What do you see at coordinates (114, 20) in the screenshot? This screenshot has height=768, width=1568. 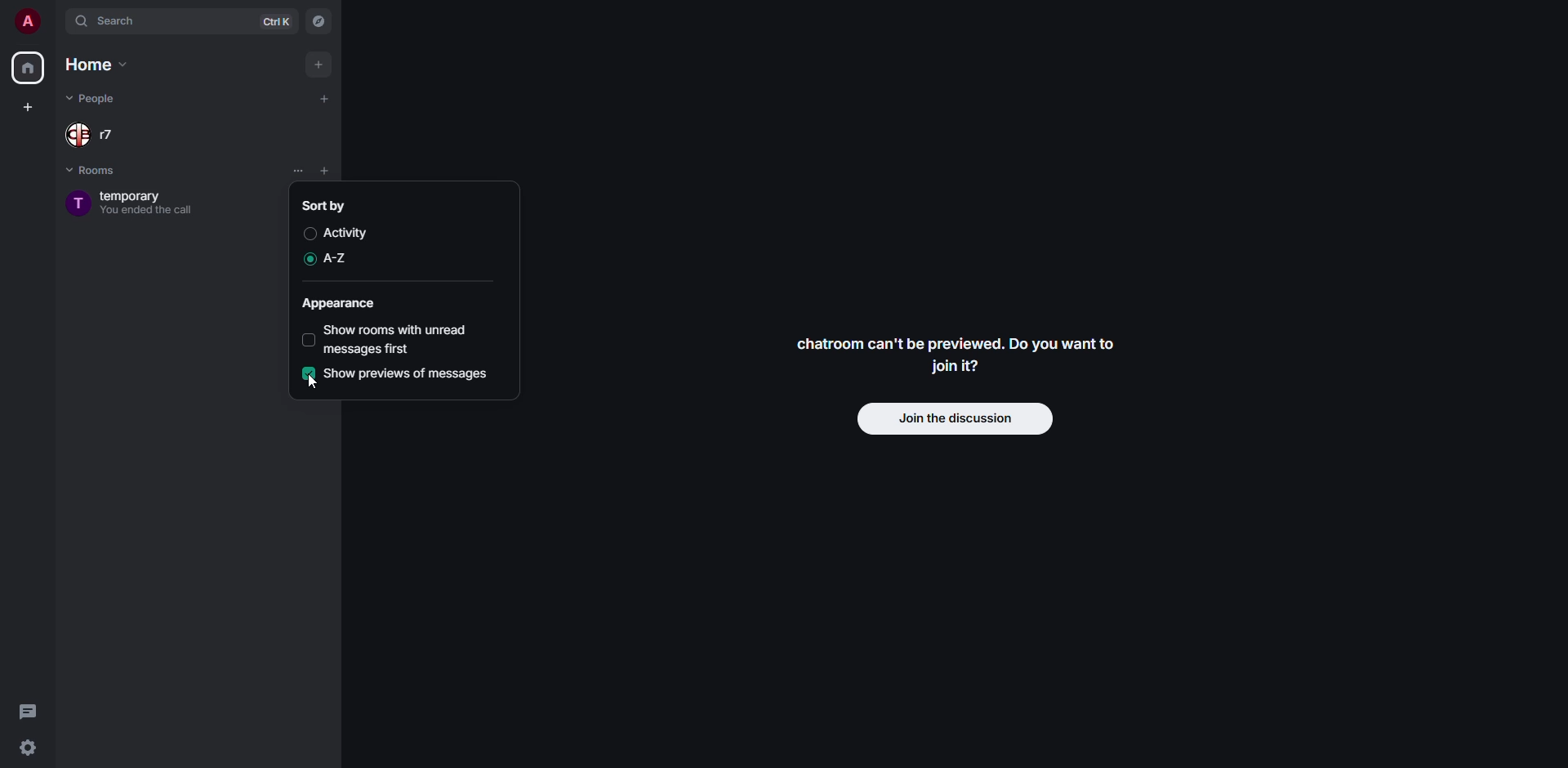 I see `search` at bounding box center [114, 20].